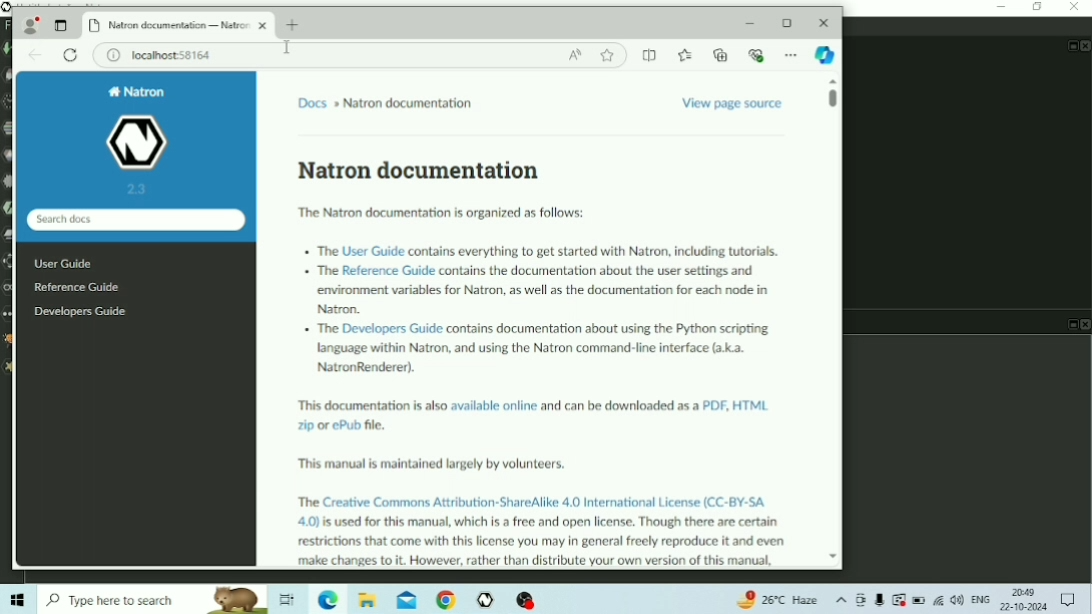  I want to click on favourite, so click(686, 55).